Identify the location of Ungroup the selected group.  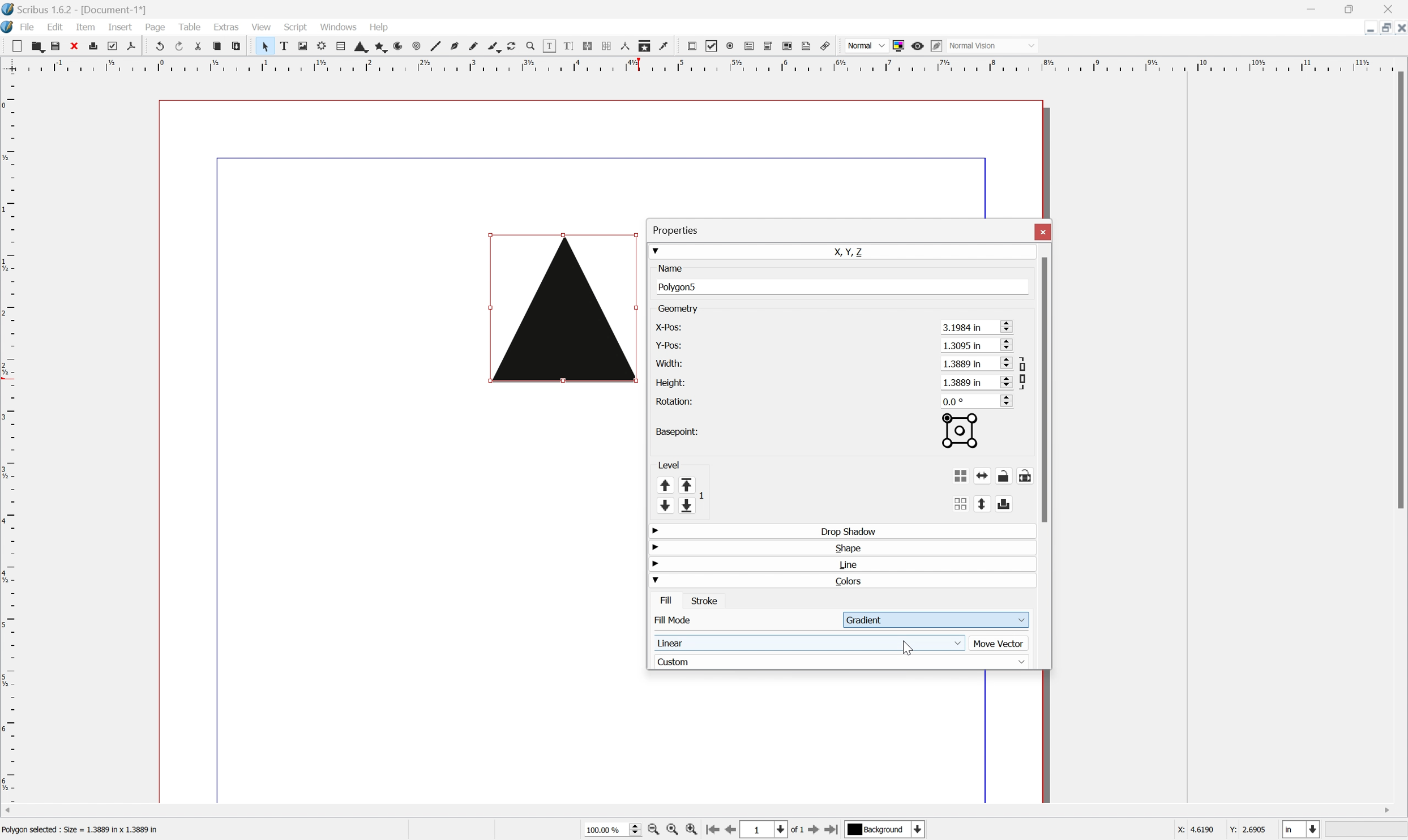
(973, 502).